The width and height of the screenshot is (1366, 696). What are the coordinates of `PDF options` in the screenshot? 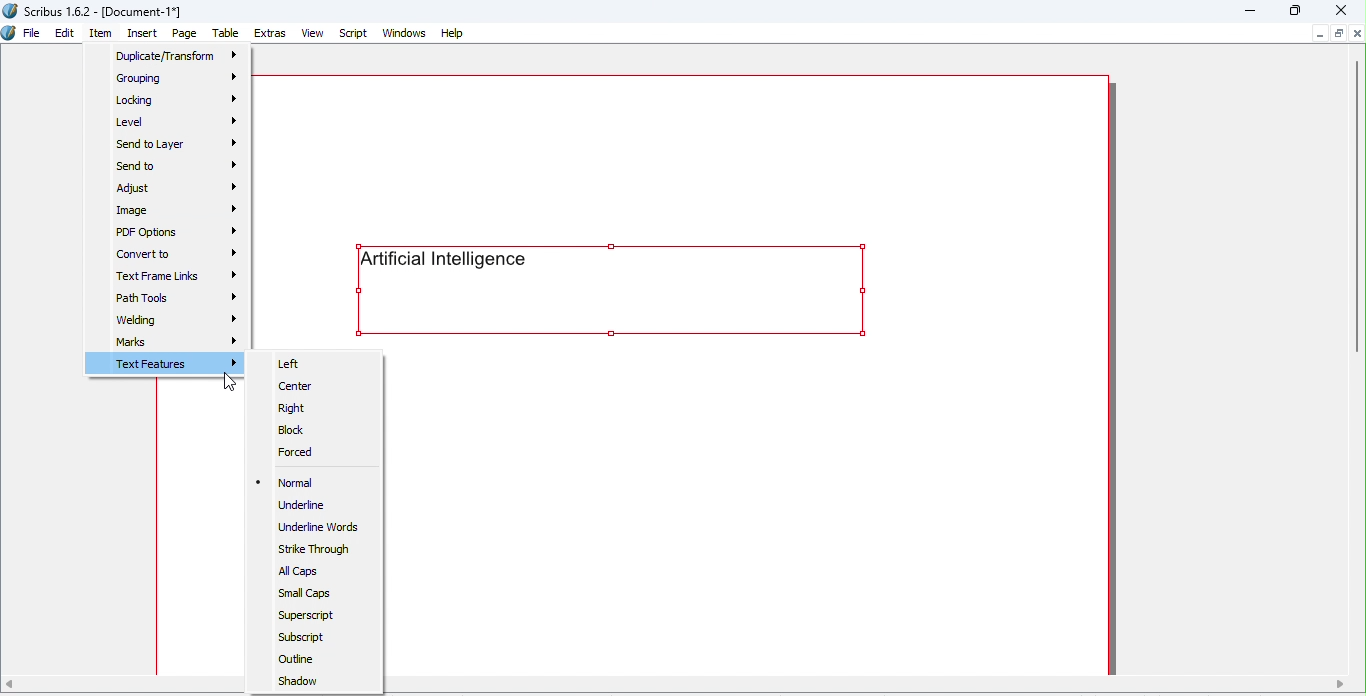 It's located at (178, 230).